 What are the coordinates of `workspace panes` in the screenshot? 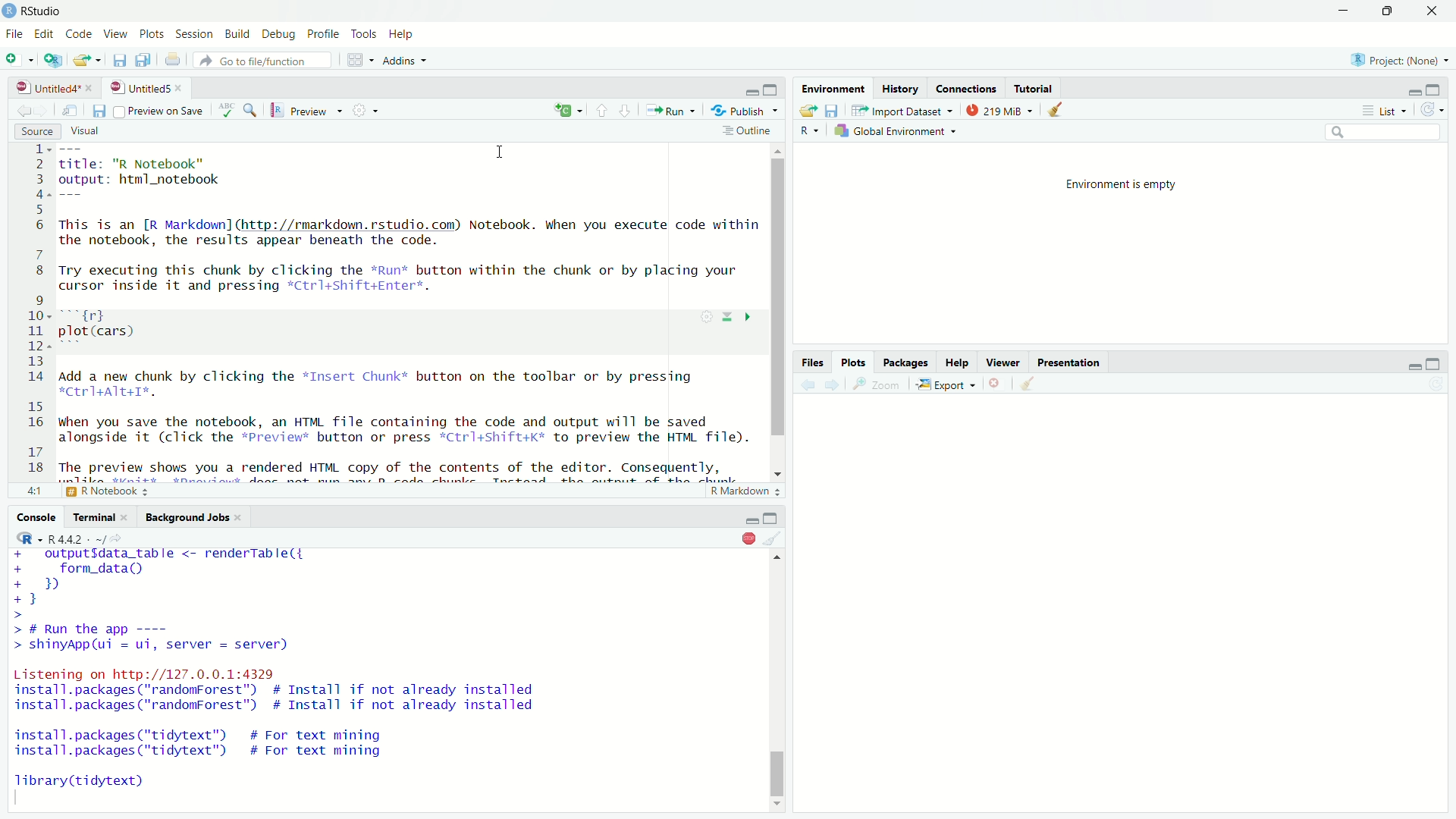 It's located at (360, 60).